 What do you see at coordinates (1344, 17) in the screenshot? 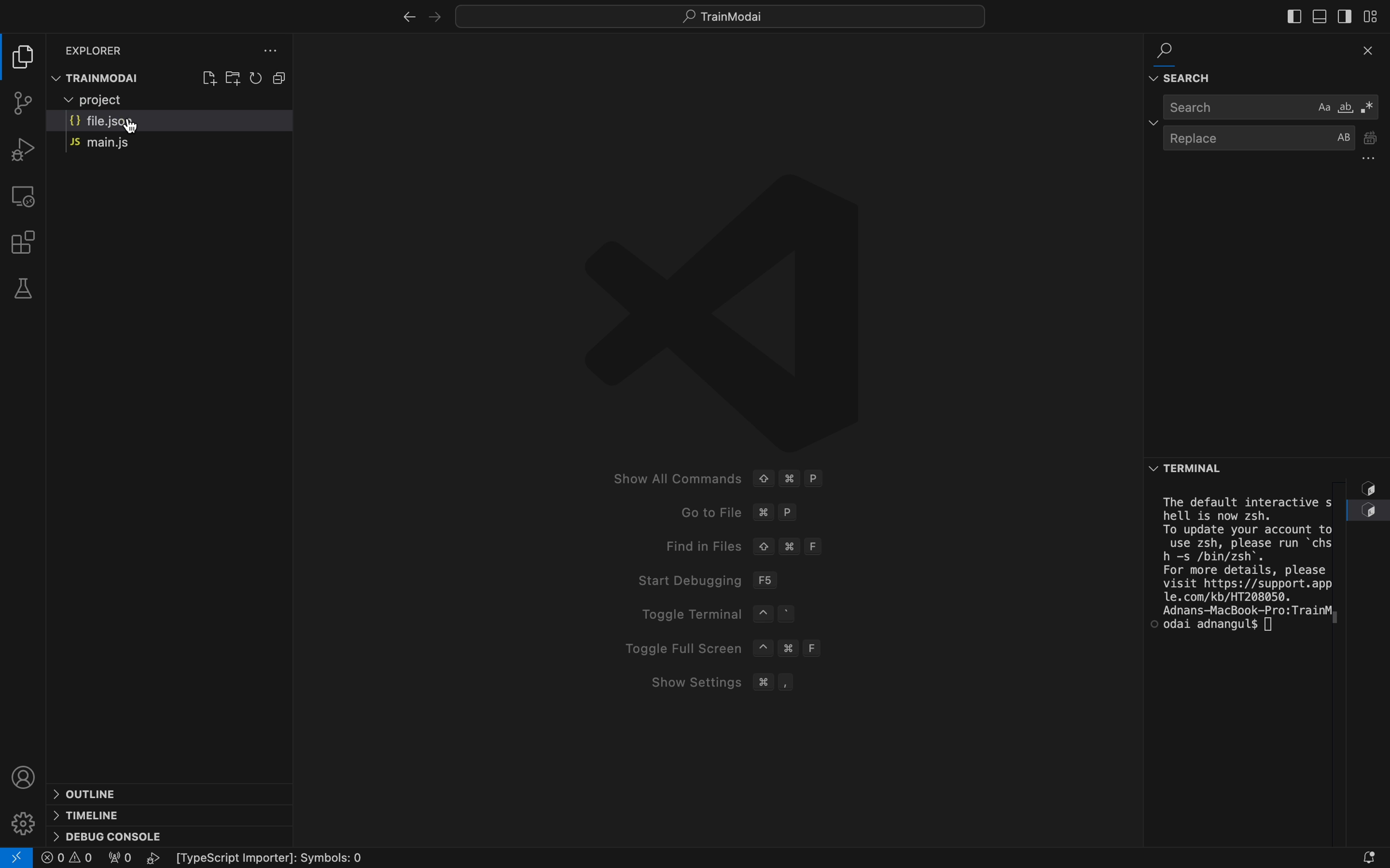
I see `toggle secondary bar` at bounding box center [1344, 17].